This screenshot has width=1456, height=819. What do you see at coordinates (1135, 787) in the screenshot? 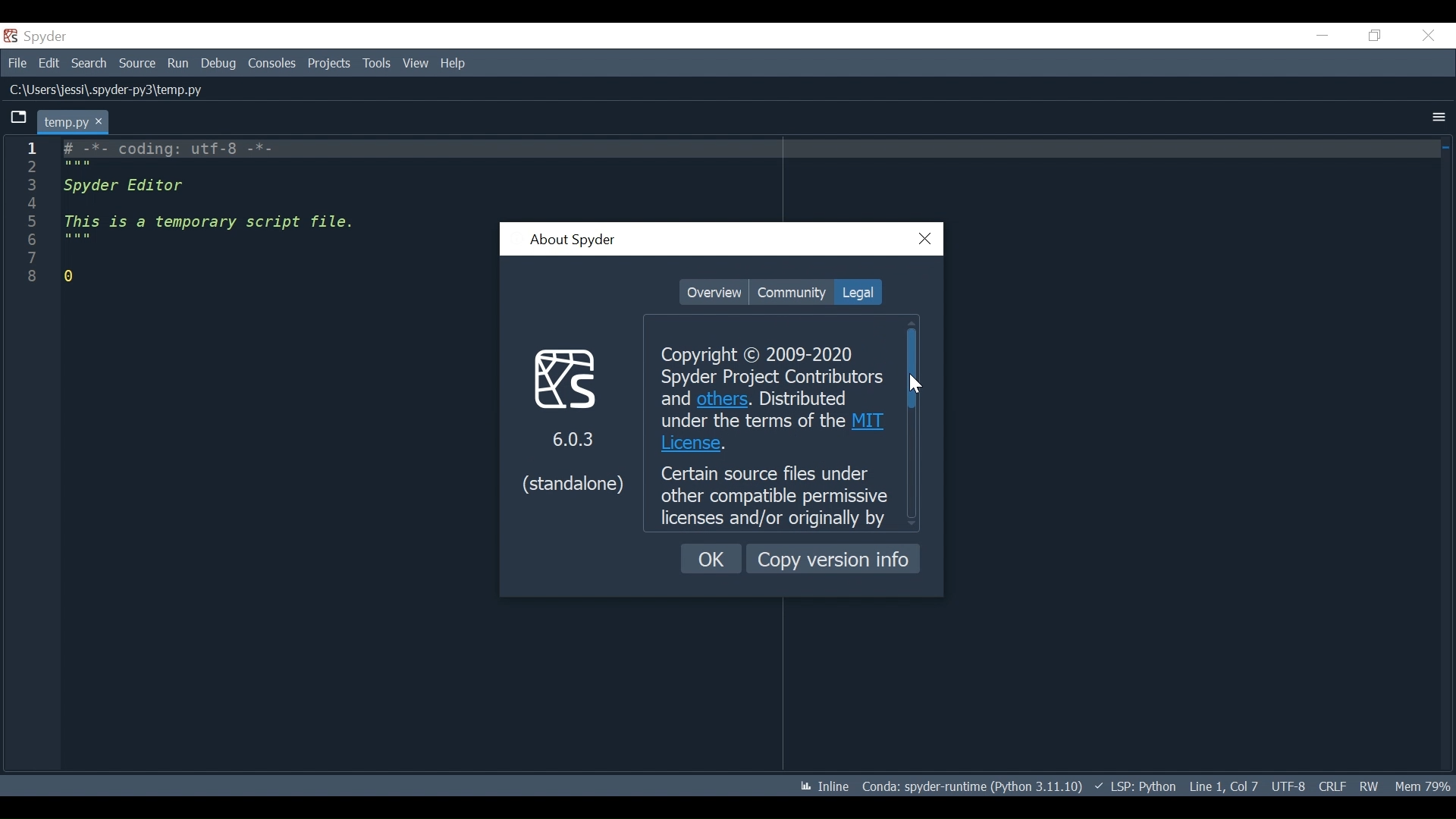
I see `LSP: Python` at bounding box center [1135, 787].